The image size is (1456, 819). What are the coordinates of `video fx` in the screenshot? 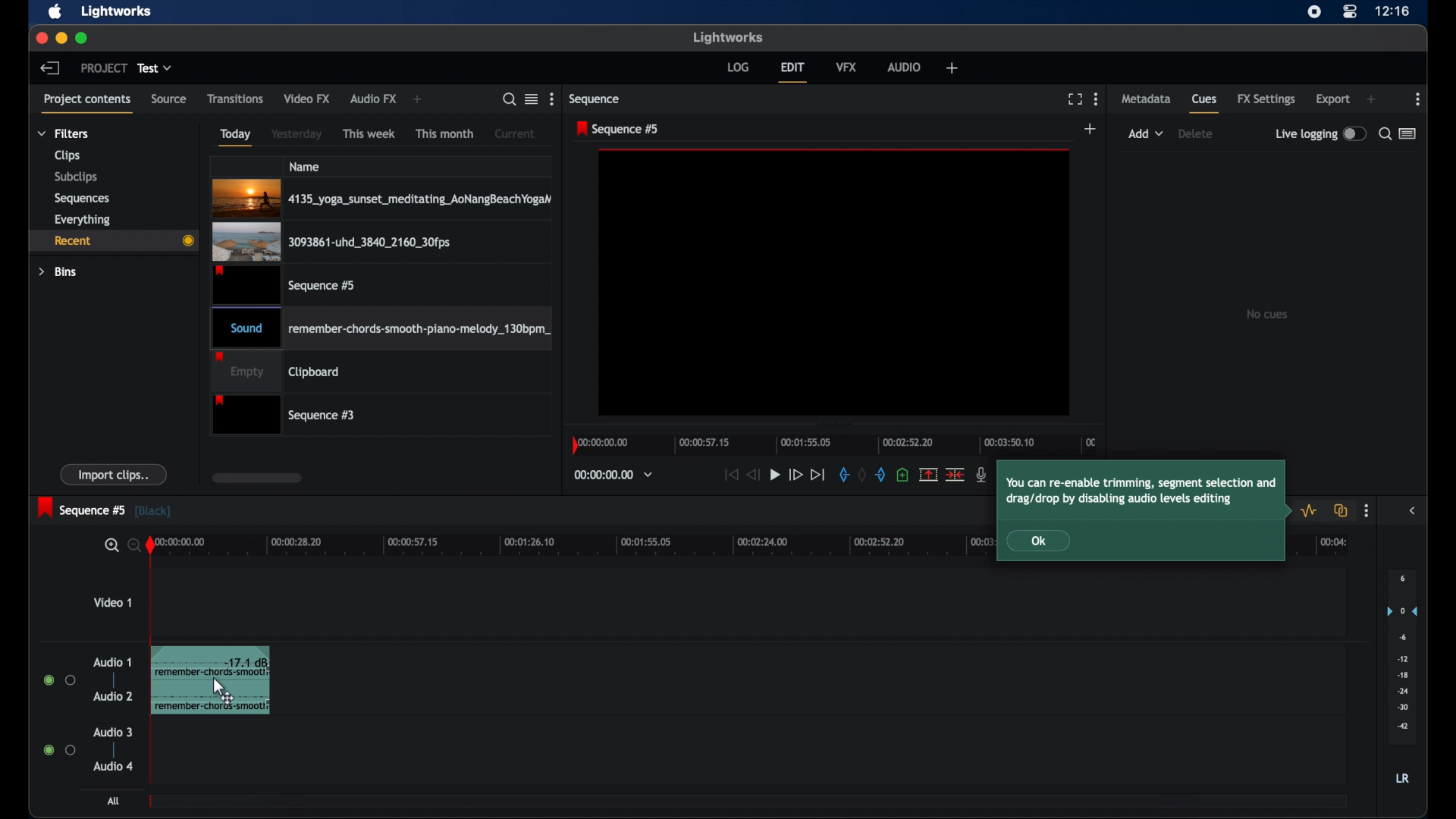 It's located at (306, 99).